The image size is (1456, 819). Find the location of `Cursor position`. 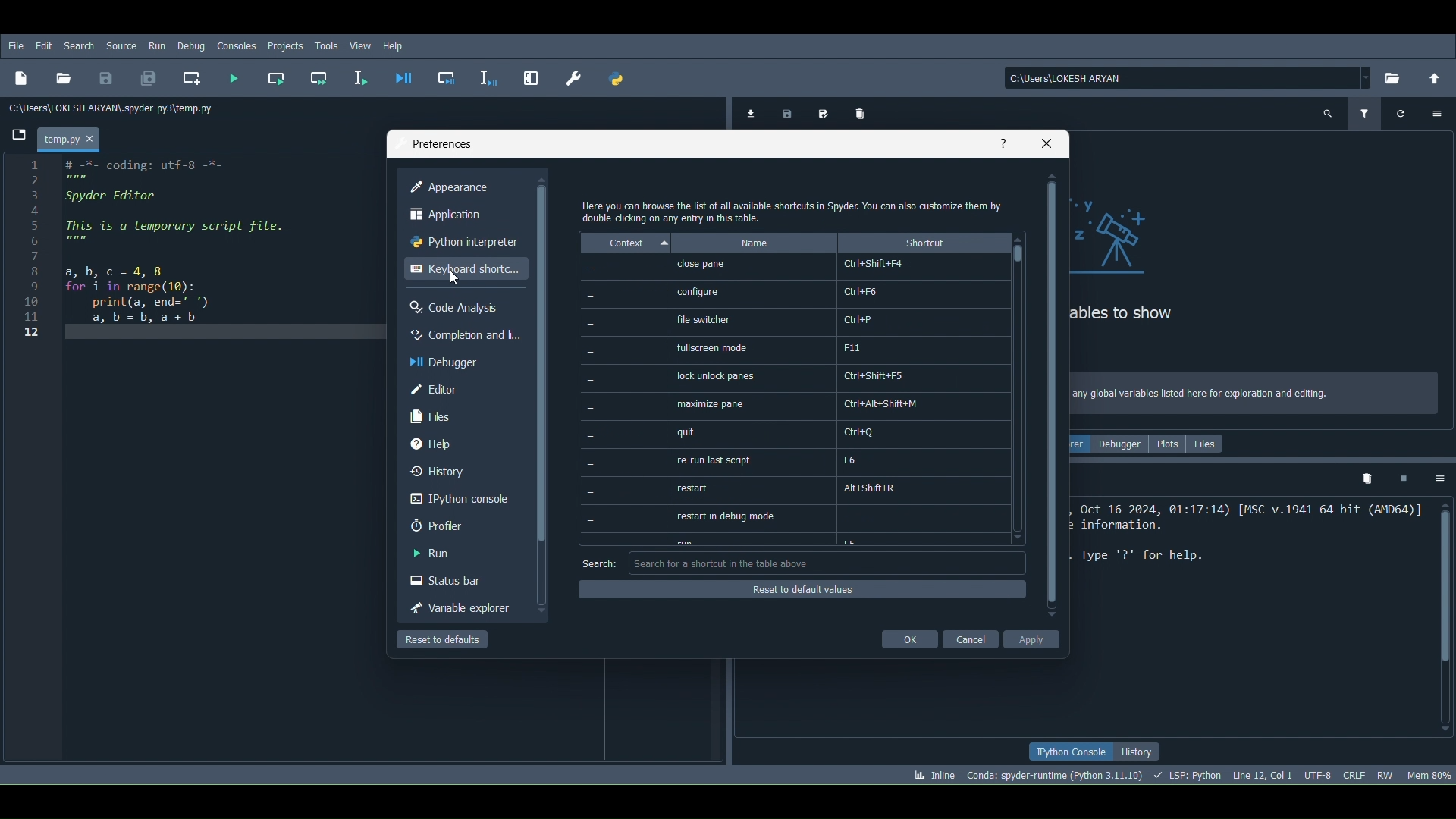

Cursor position is located at coordinates (450, 278).